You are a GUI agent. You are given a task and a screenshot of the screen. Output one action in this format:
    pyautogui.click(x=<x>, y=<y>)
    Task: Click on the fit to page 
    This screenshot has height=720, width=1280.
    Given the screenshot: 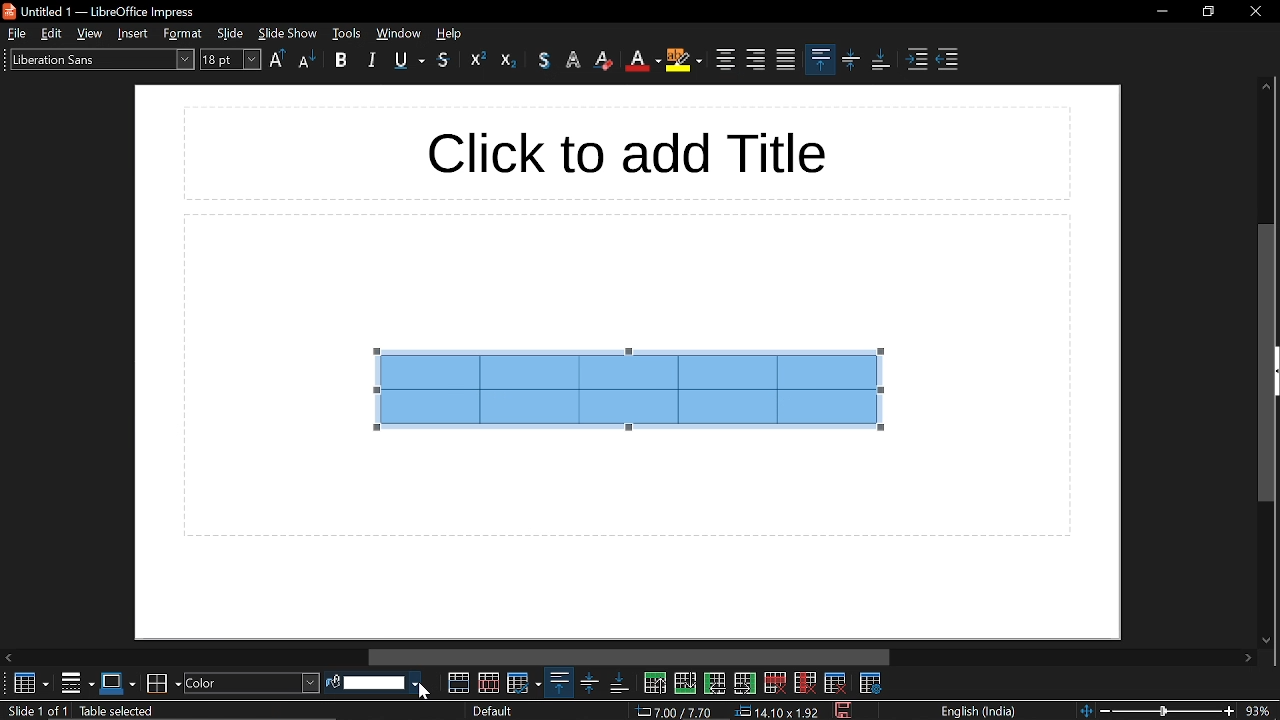 What is the action you would take?
    pyautogui.click(x=1086, y=709)
    